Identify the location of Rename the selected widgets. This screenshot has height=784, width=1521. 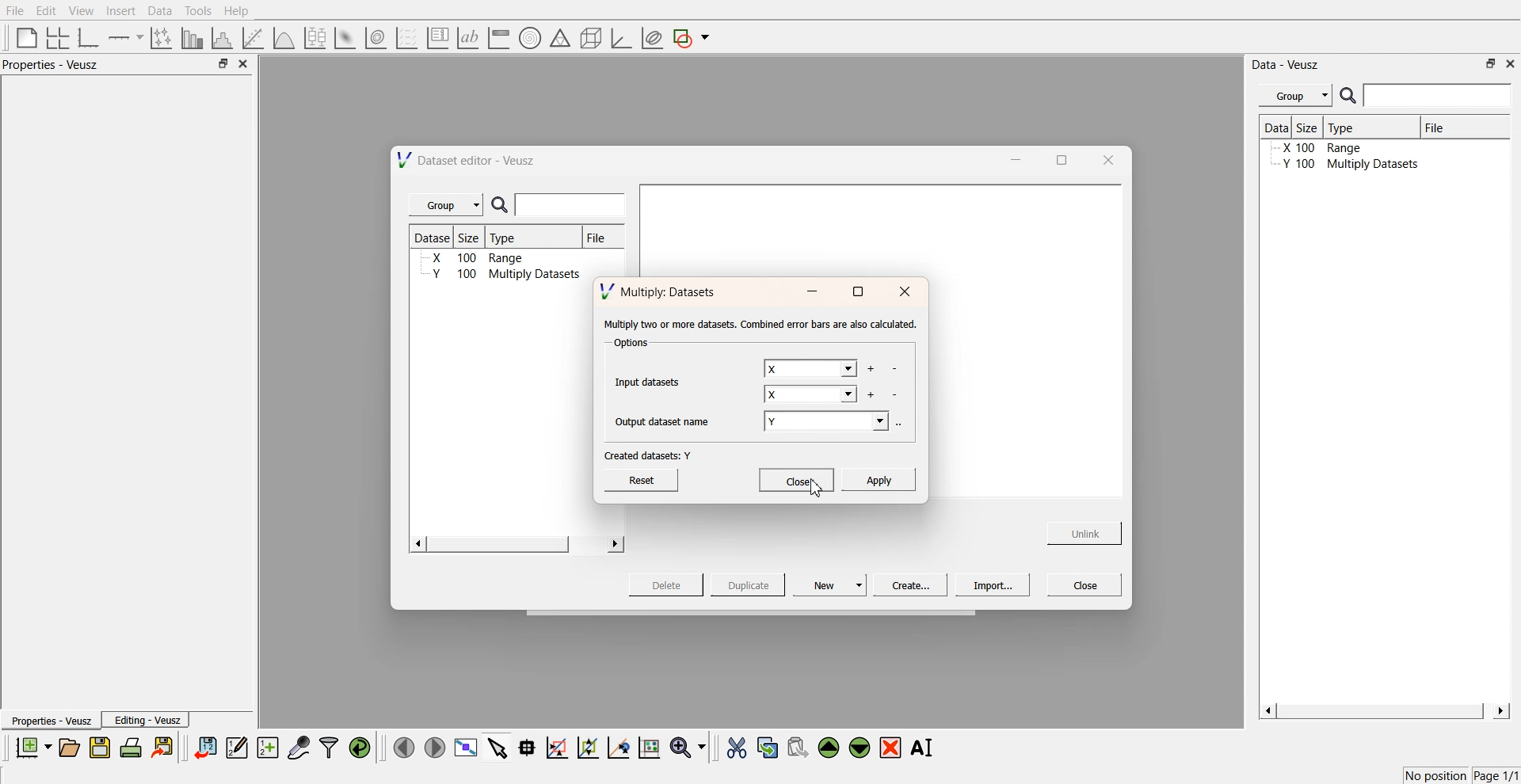
(925, 748).